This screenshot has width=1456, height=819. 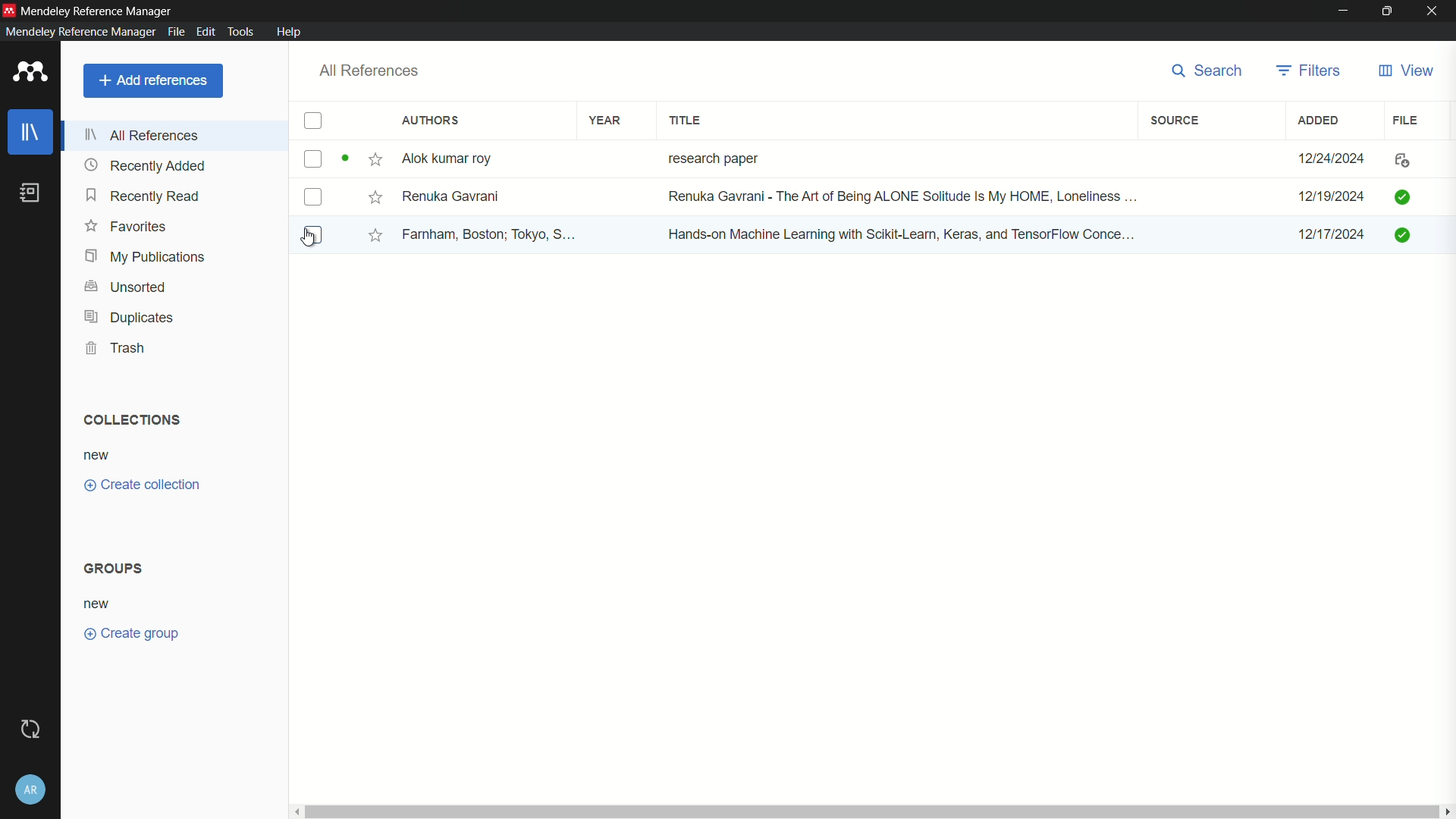 I want to click on cursor, so click(x=309, y=239).